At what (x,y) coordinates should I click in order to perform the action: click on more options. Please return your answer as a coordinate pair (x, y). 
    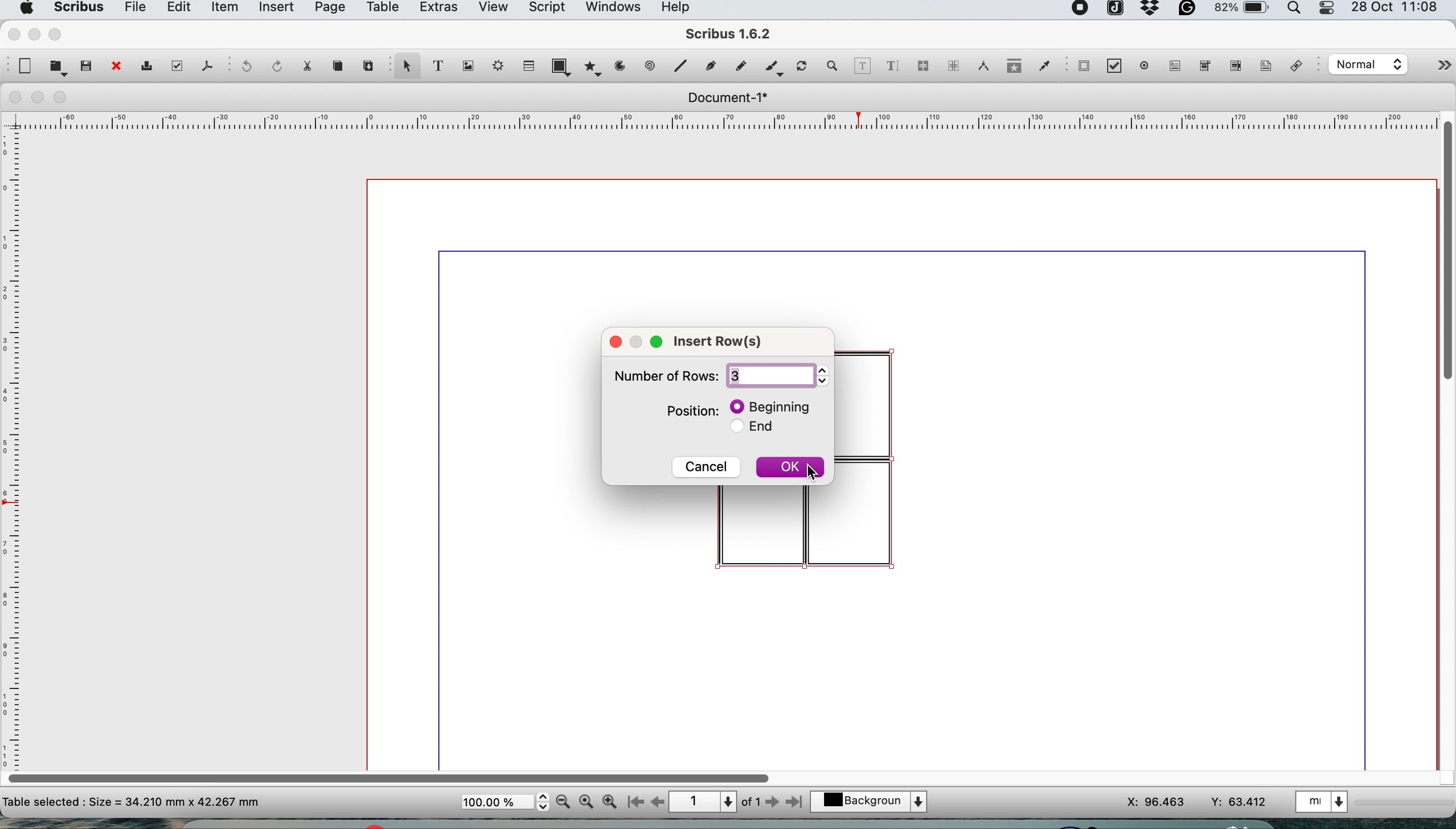
    Looking at the image, I should click on (1432, 68).